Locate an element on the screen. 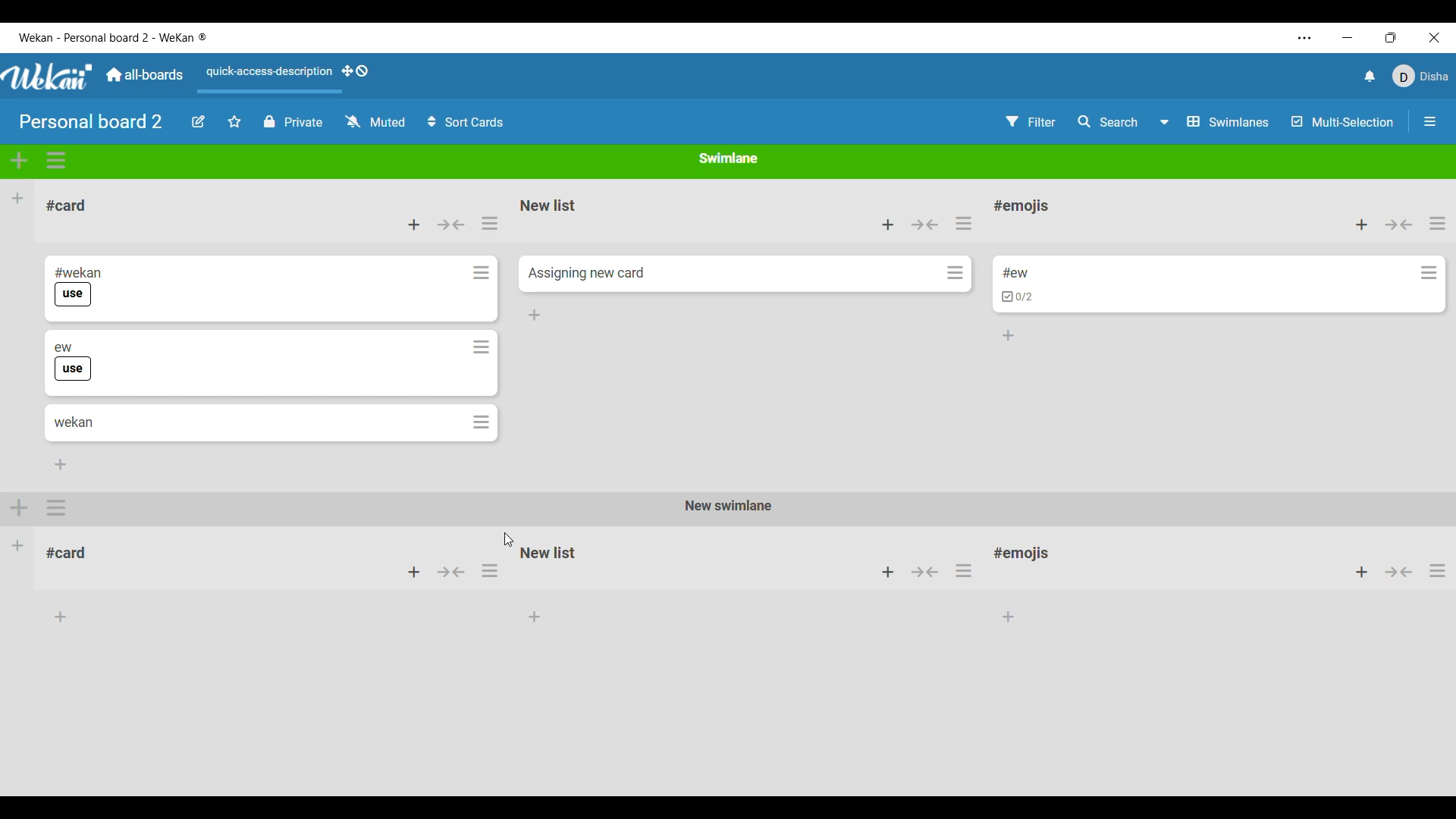 The image size is (1456, 819). Current swimlane is located at coordinates (729, 158).